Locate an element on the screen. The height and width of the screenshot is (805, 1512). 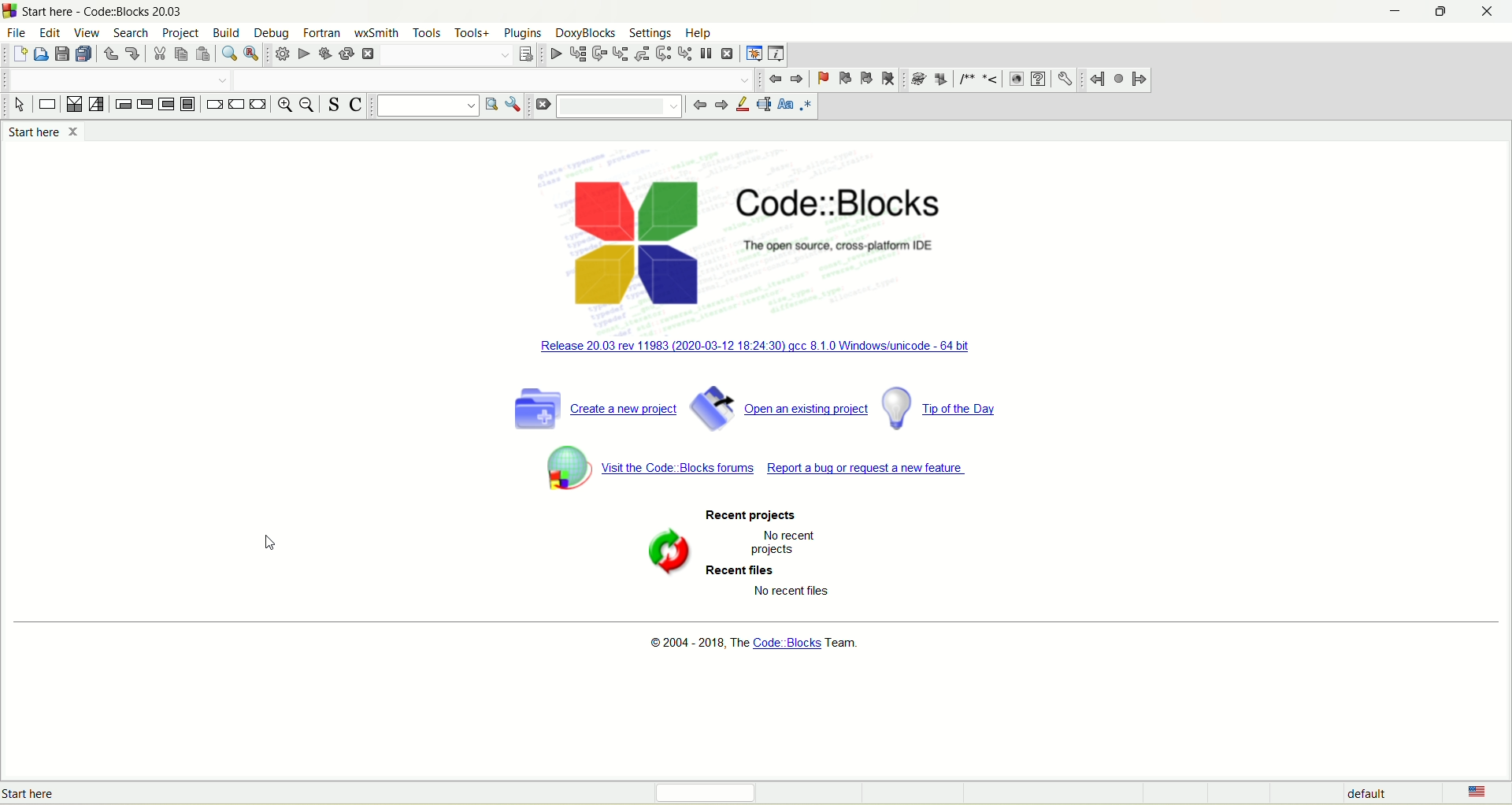
zoom in is located at coordinates (283, 106).